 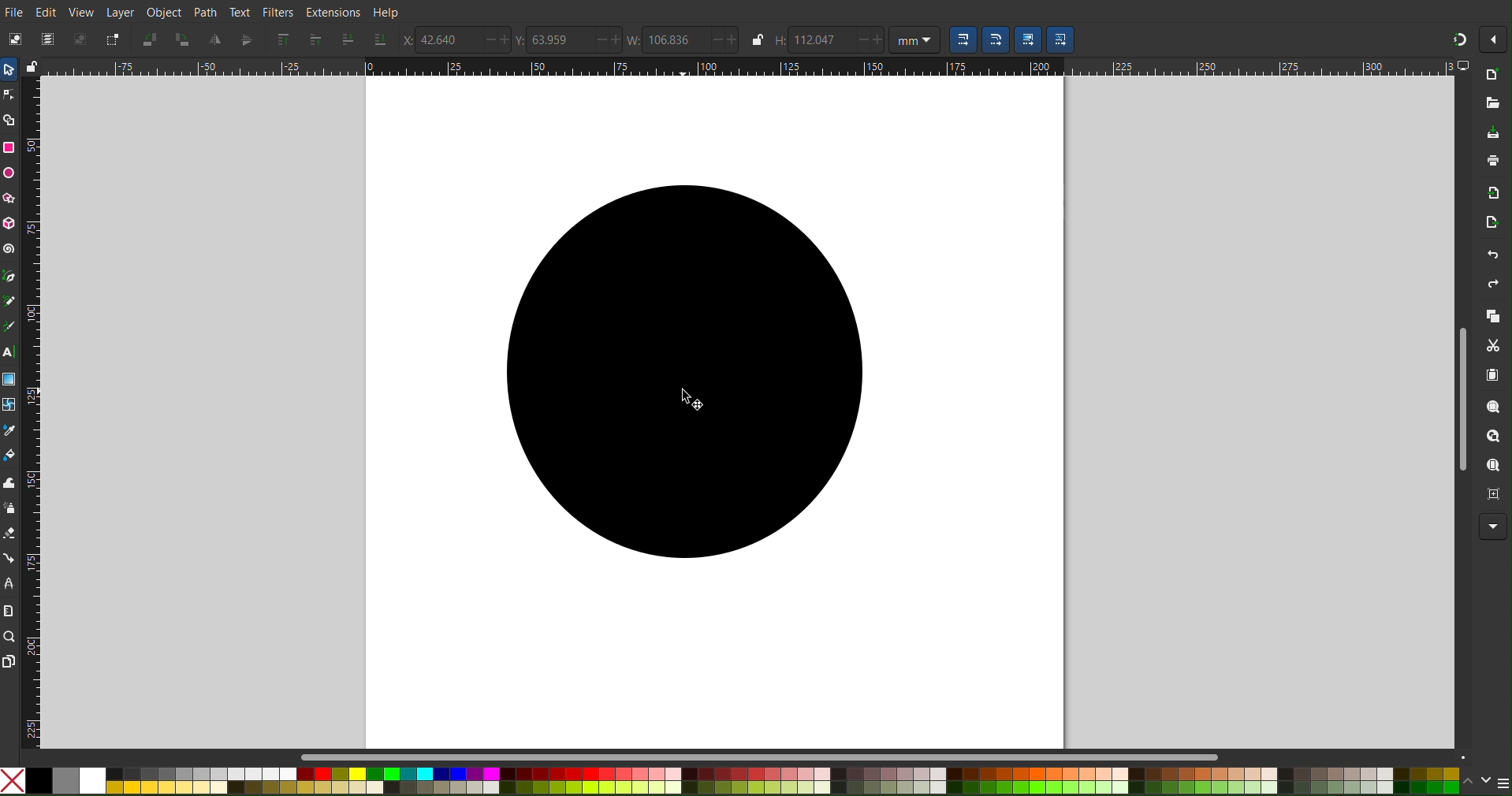 What do you see at coordinates (562, 41) in the screenshot?
I see `63` at bounding box center [562, 41].